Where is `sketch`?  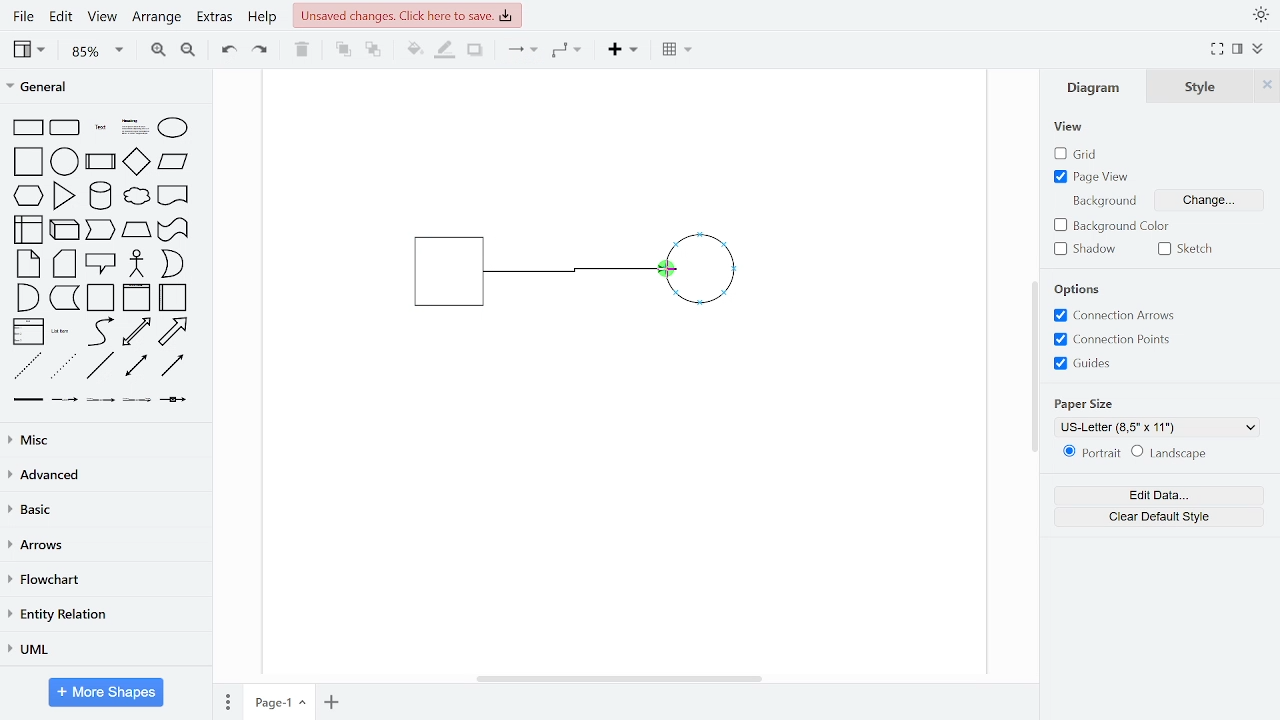
sketch is located at coordinates (1190, 249).